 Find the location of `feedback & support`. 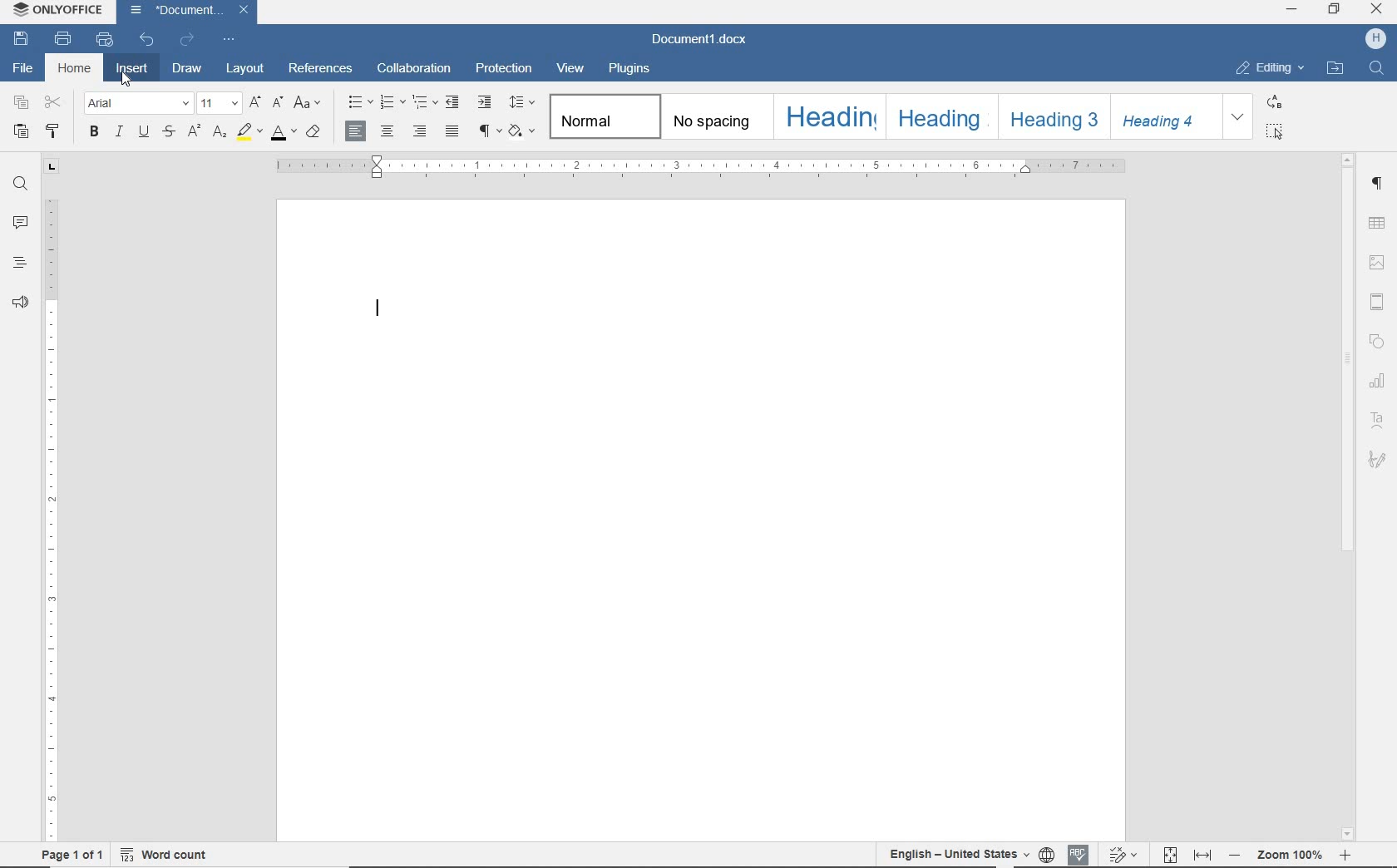

feedback & support is located at coordinates (22, 301).